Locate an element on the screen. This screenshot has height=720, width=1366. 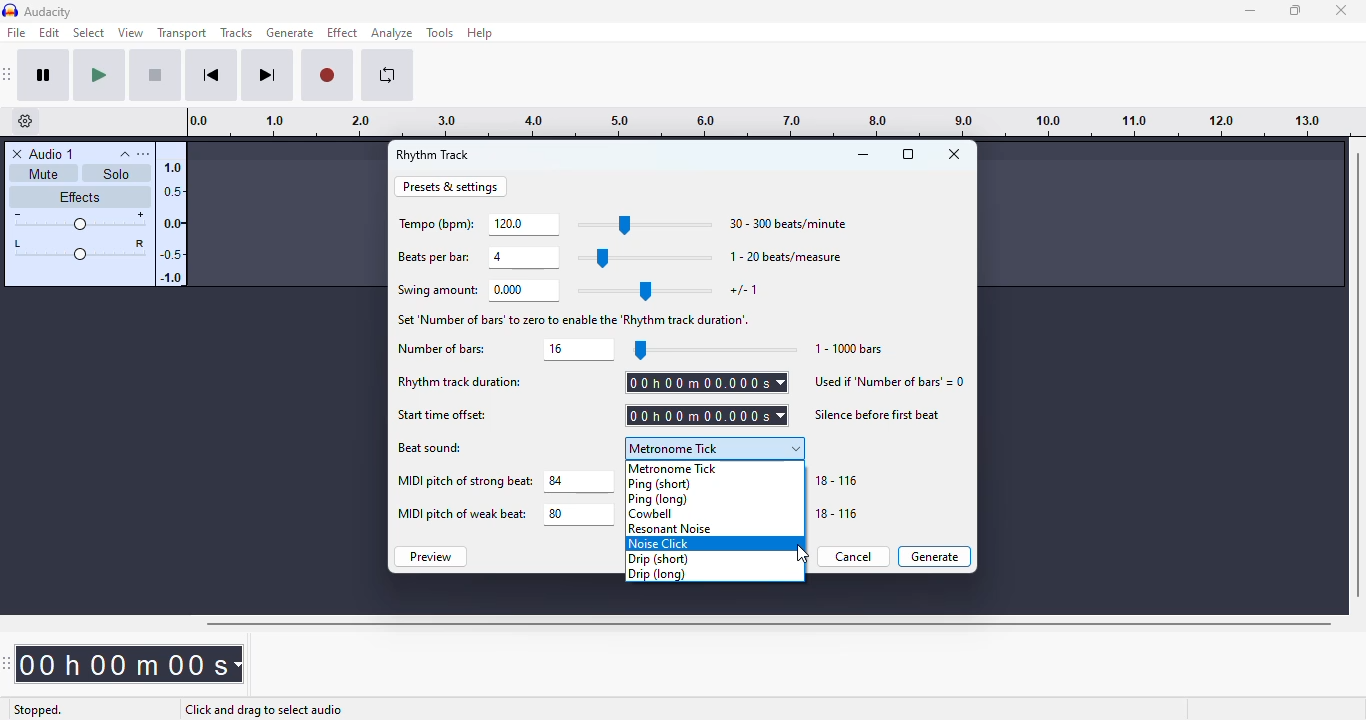
metronome tick is located at coordinates (716, 447).